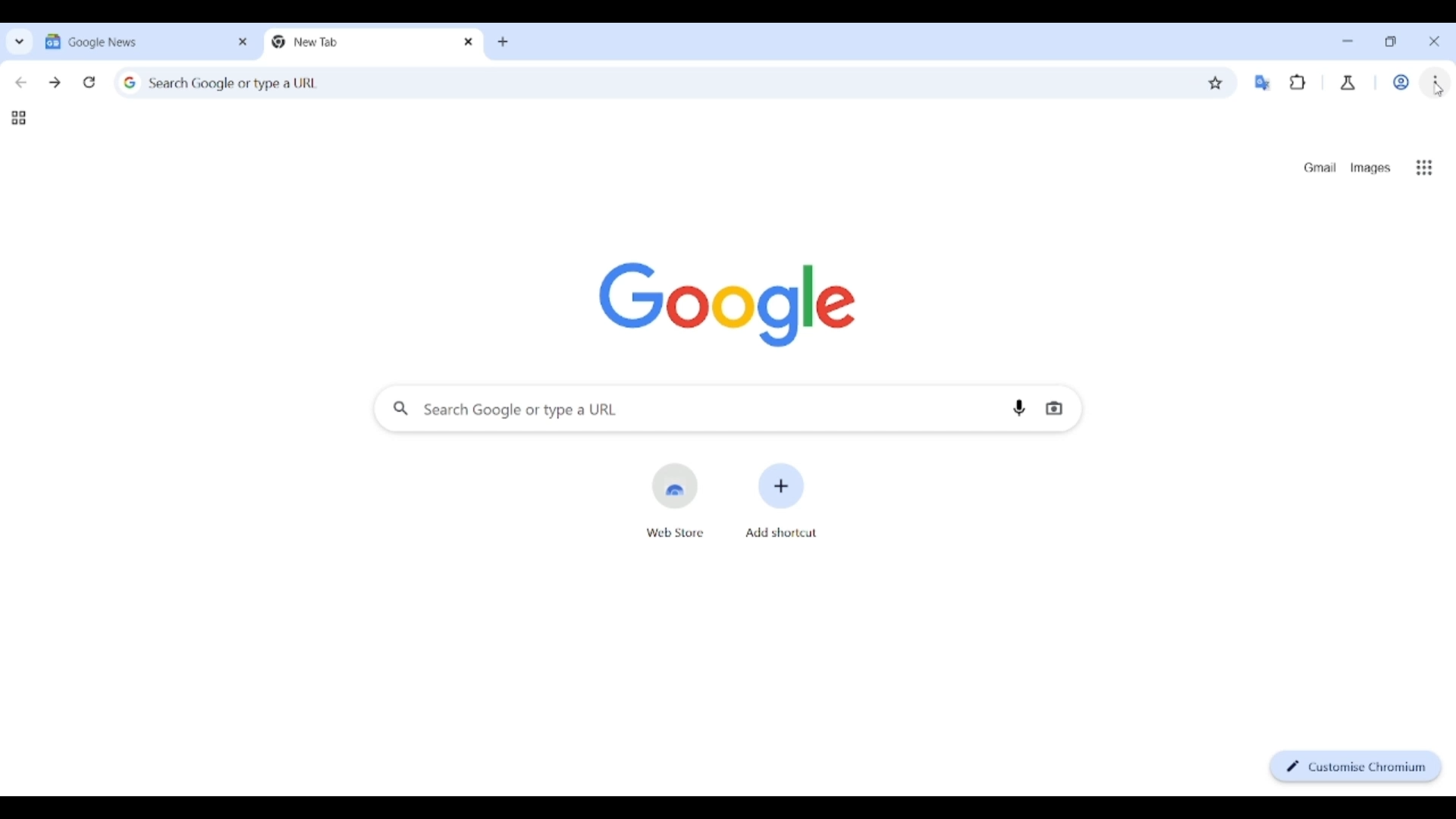 Image resolution: width=1456 pixels, height=819 pixels. What do you see at coordinates (1348, 83) in the screenshot?
I see `Chrome labs` at bounding box center [1348, 83].